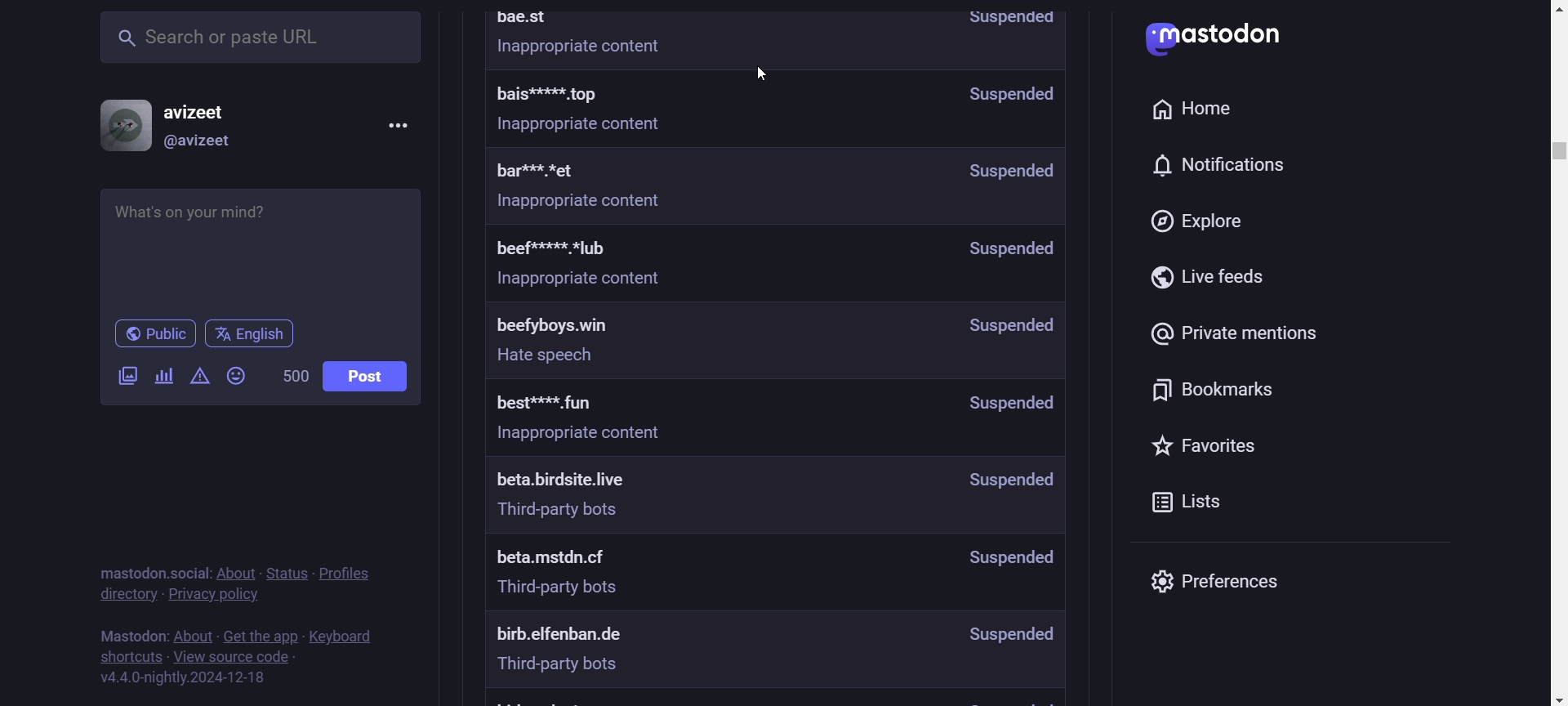 The image size is (1568, 706). I want to click on home, so click(1200, 107).